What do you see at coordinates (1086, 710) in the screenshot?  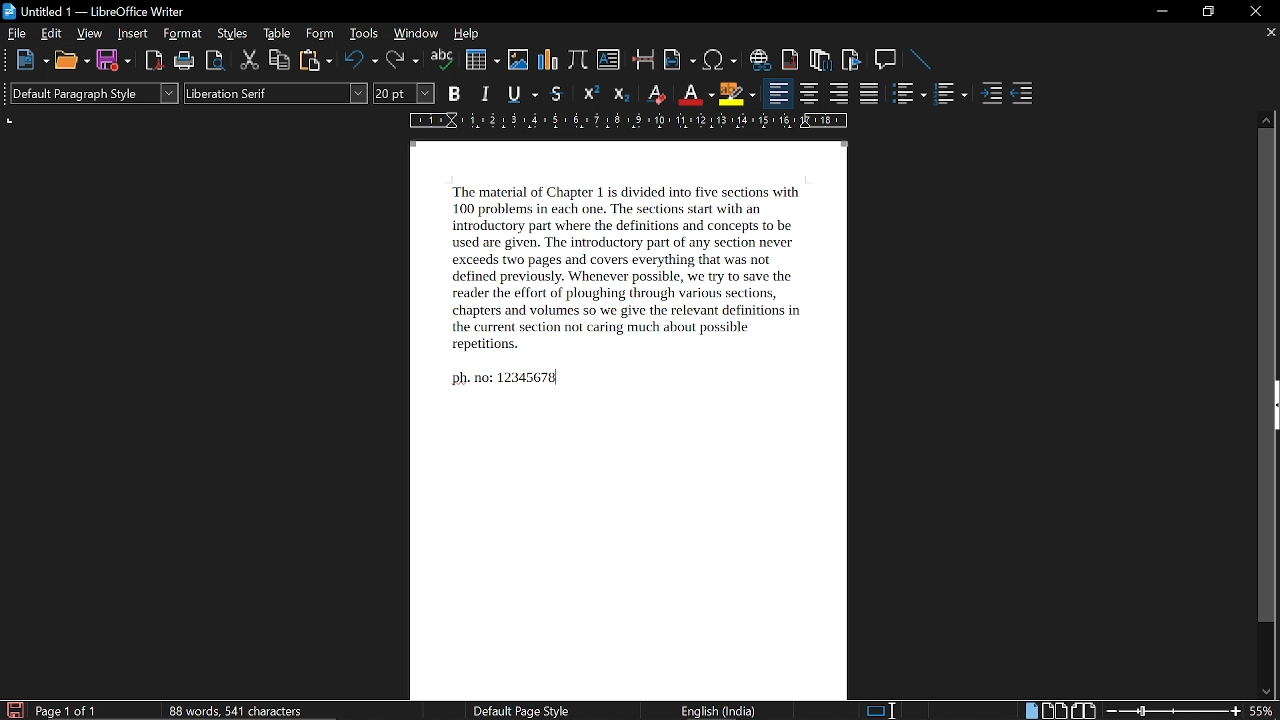 I see `book view` at bounding box center [1086, 710].